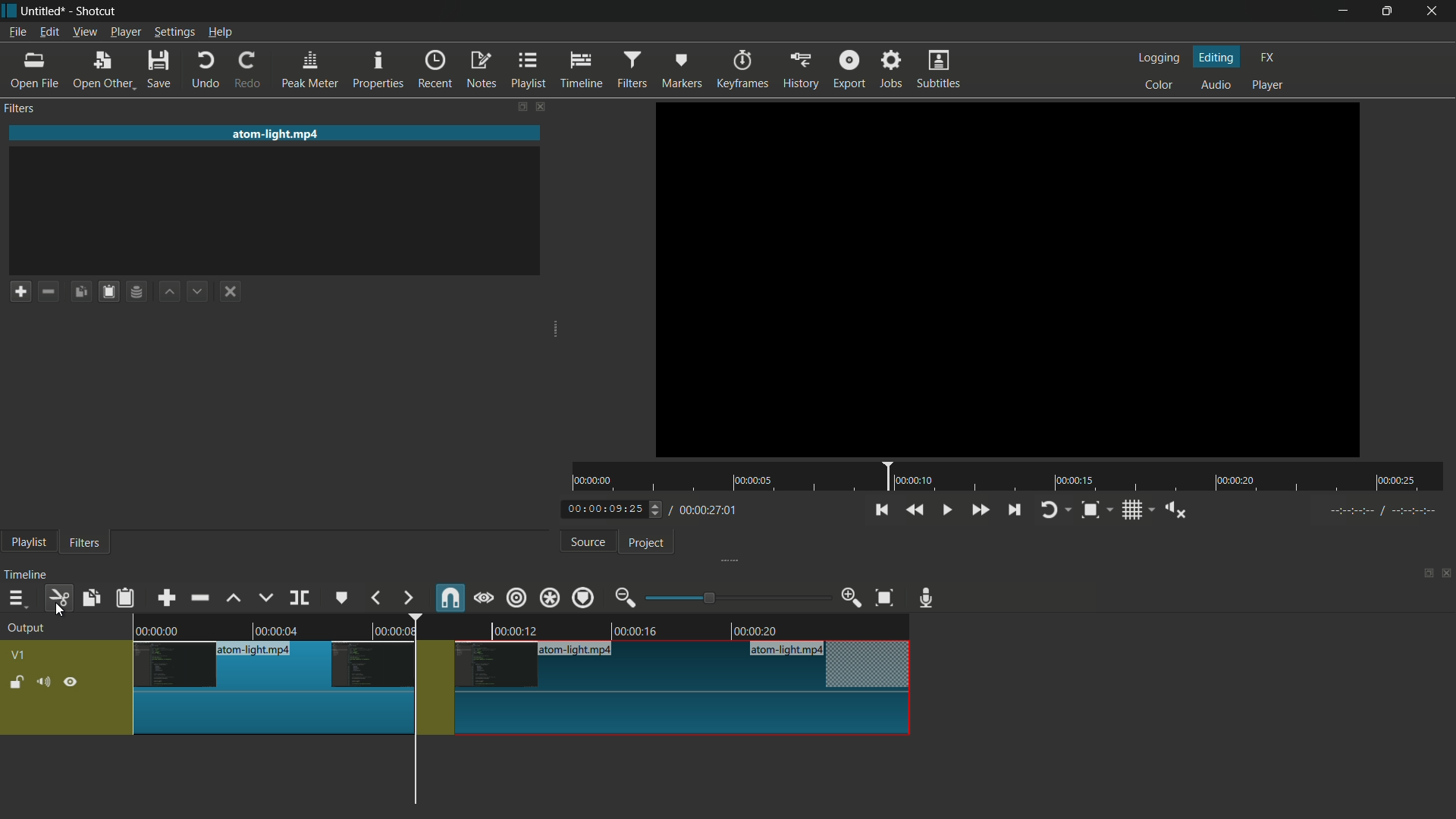 This screenshot has width=1456, height=819. I want to click on copy checked filters, so click(84, 290).